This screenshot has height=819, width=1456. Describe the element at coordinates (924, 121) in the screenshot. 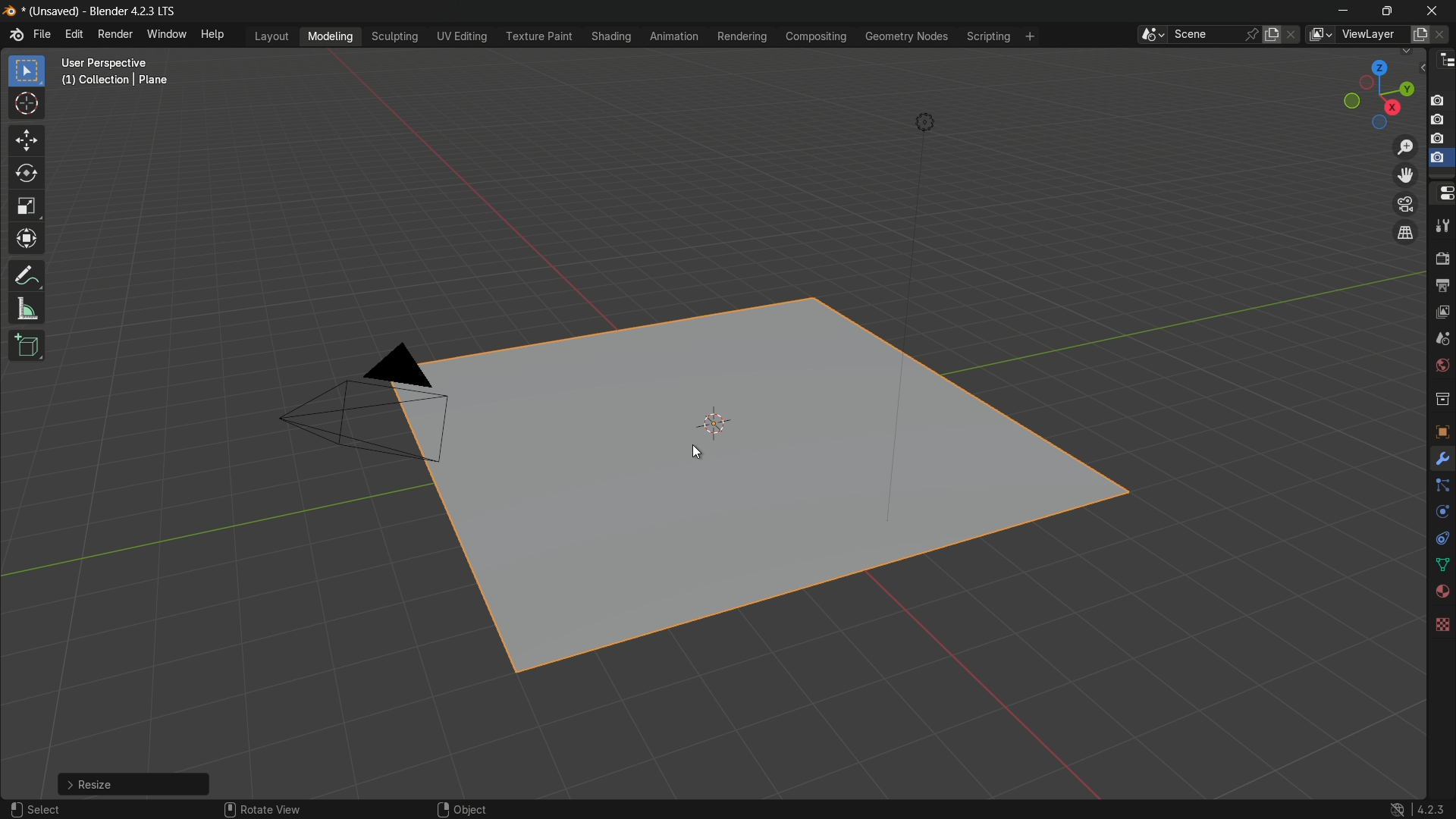

I see `light` at that location.